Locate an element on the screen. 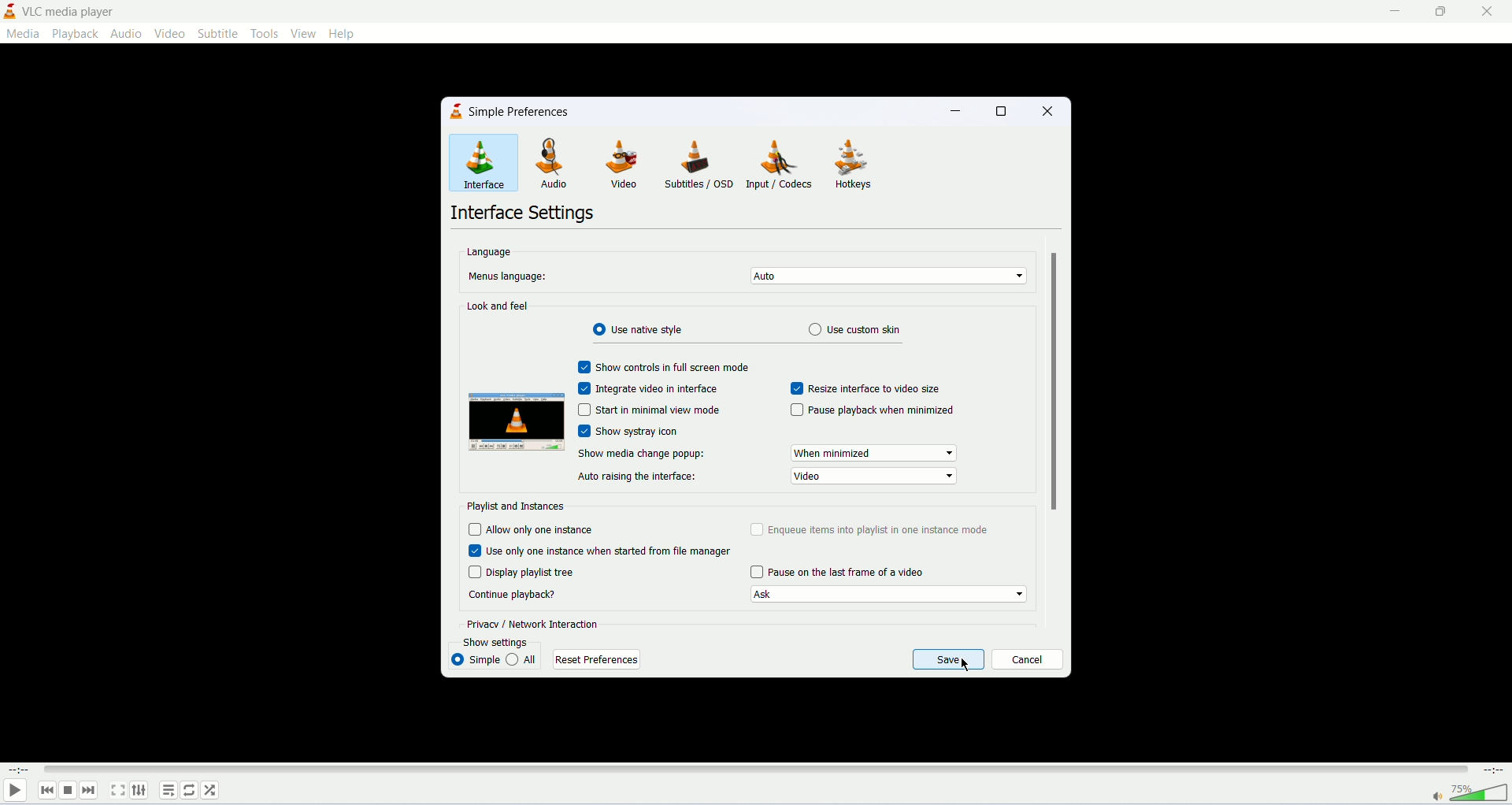 This screenshot has width=1512, height=805. progress bar is located at coordinates (760, 772).